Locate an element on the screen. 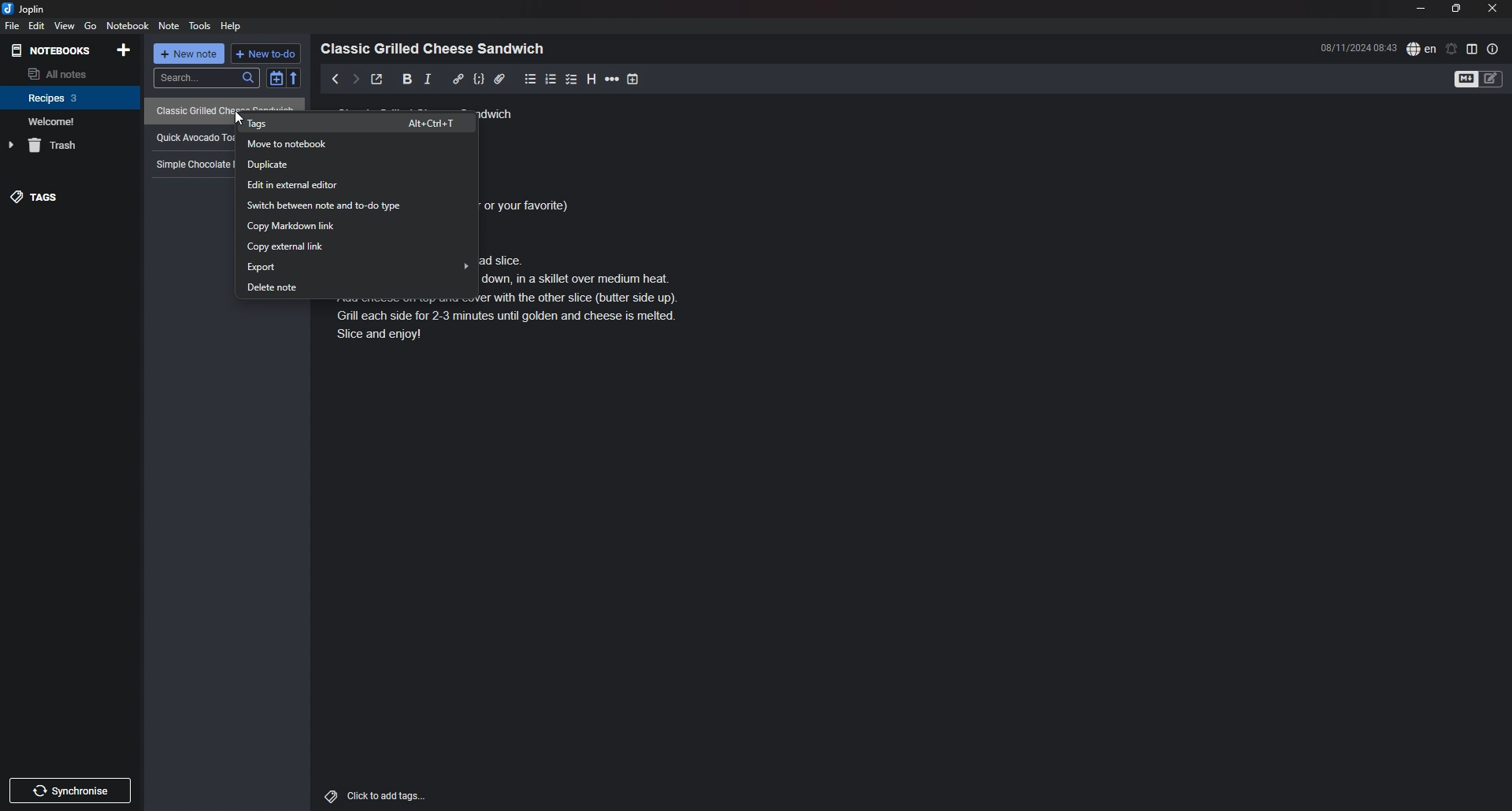  tags is located at coordinates (357, 123).